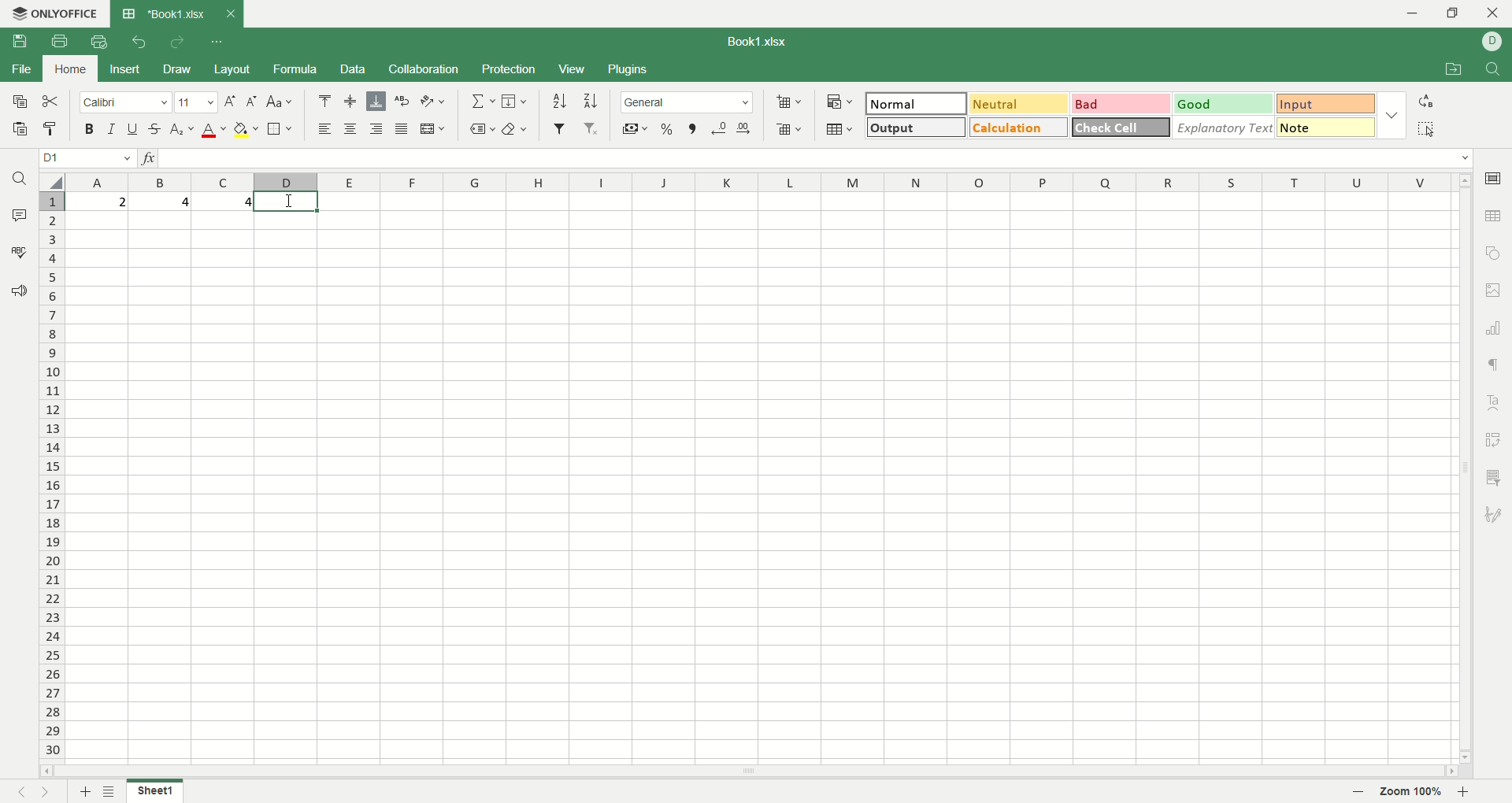 The image size is (1512, 803). What do you see at coordinates (56, 13) in the screenshot?
I see `ONLYOFFICE` at bounding box center [56, 13].